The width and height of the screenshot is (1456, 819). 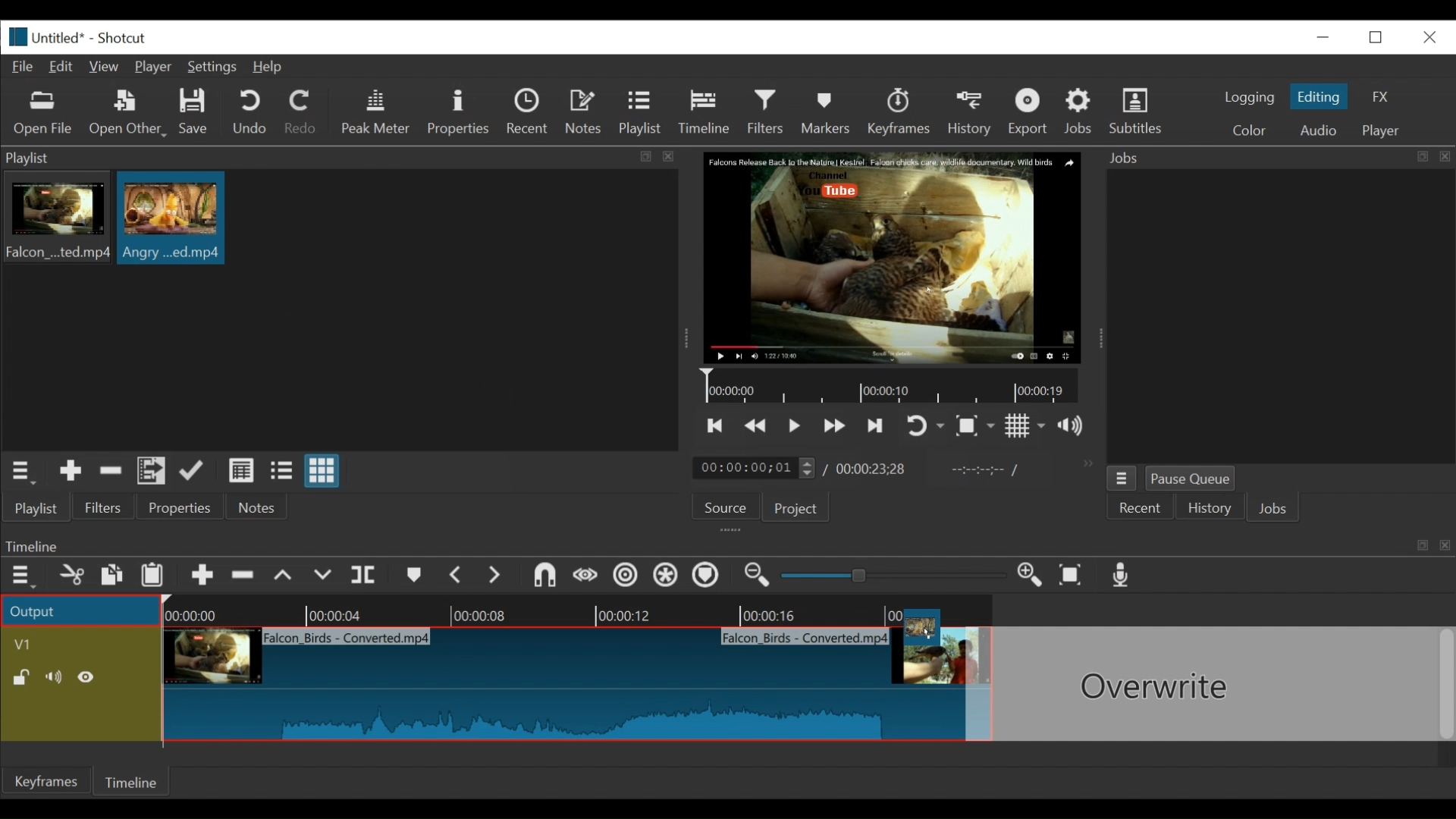 What do you see at coordinates (876, 469) in the screenshot?
I see `Total duration` at bounding box center [876, 469].